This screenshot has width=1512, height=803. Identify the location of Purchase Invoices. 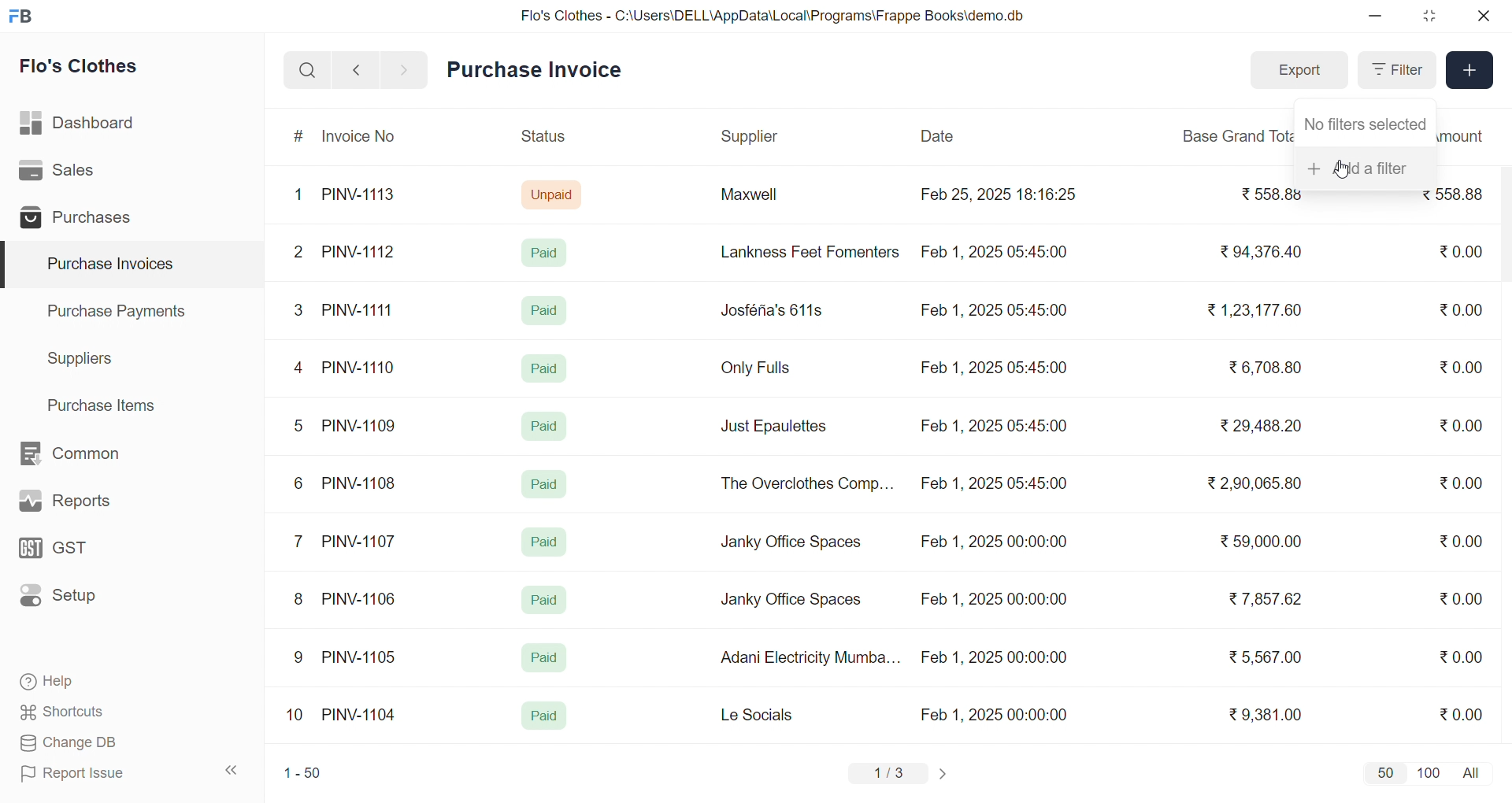
(108, 265).